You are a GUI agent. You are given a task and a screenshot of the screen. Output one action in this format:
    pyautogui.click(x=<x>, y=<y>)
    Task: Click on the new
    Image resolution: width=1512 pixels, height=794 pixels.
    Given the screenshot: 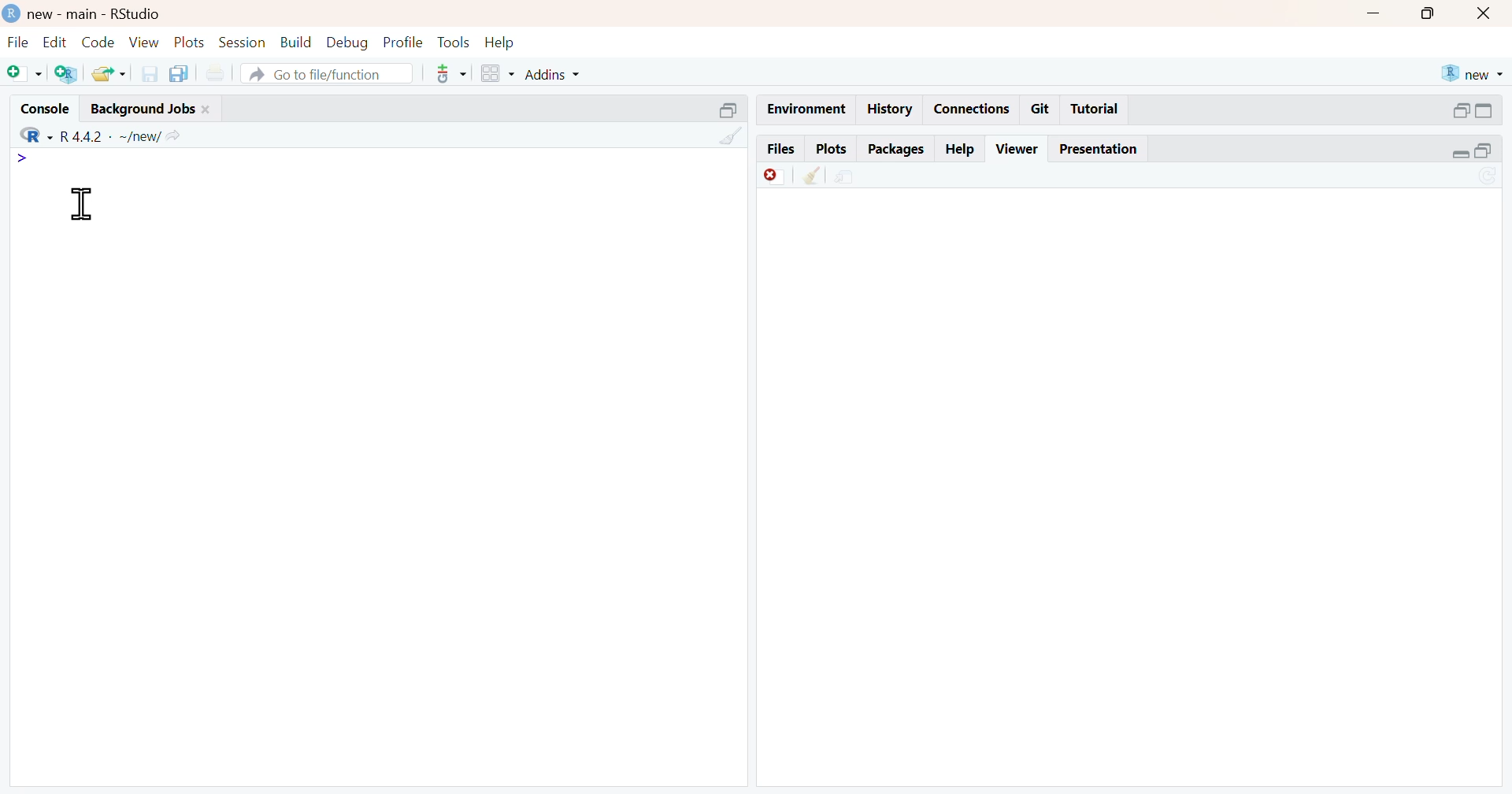 What is the action you would take?
    pyautogui.click(x=1469, y=74)
    